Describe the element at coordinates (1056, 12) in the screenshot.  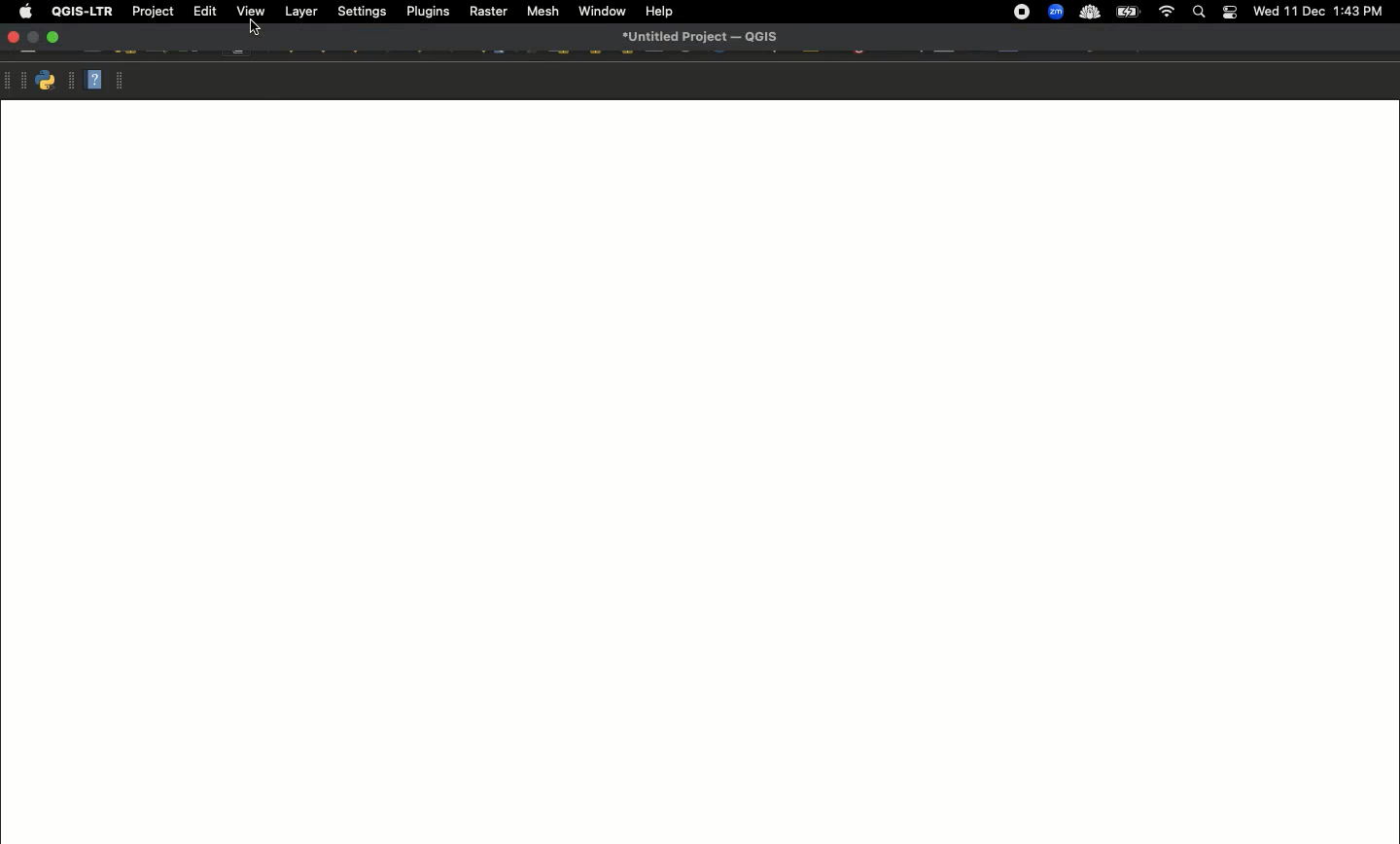
I see `` at that location.